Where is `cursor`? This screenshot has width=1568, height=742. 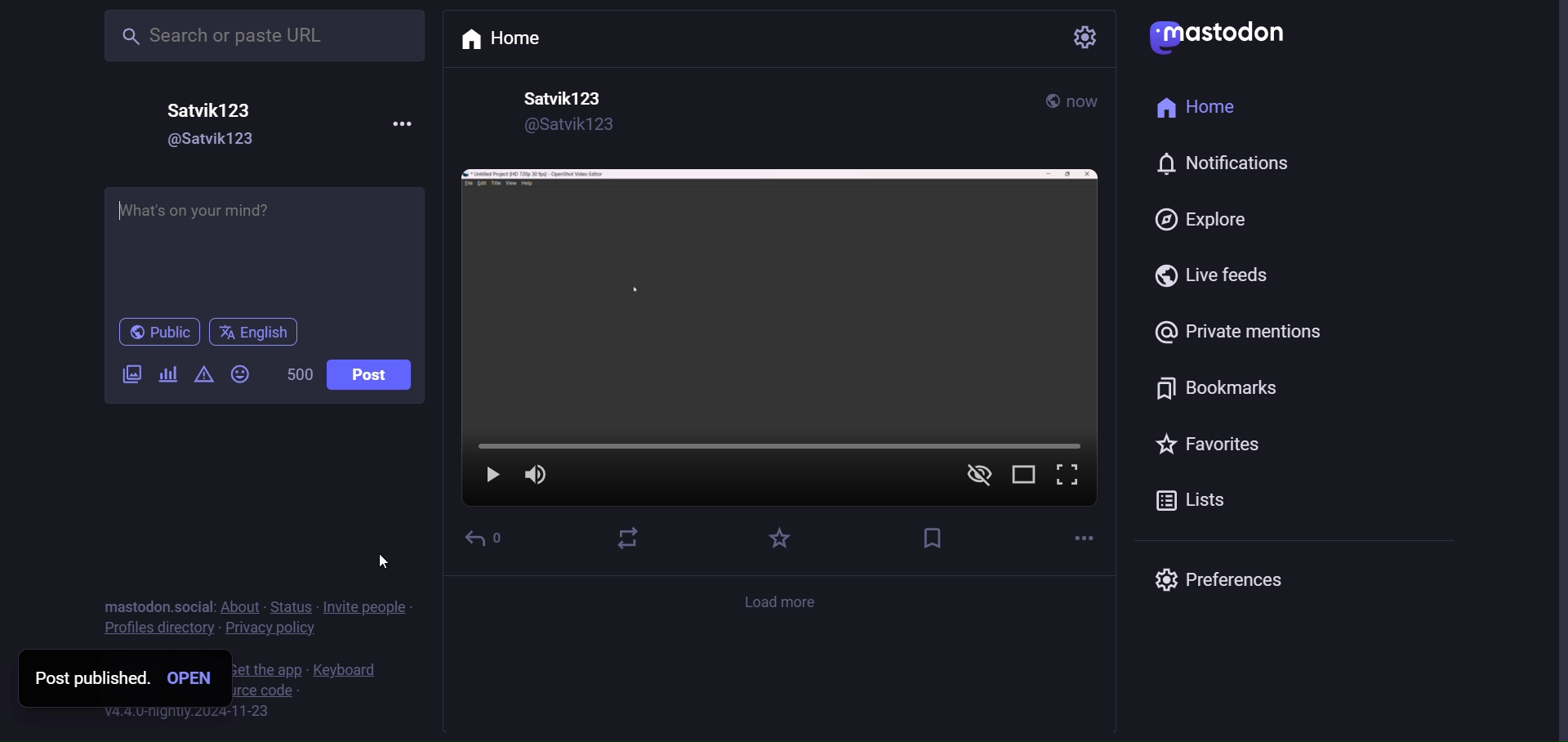
cursor is located at coordinates (384, 562).